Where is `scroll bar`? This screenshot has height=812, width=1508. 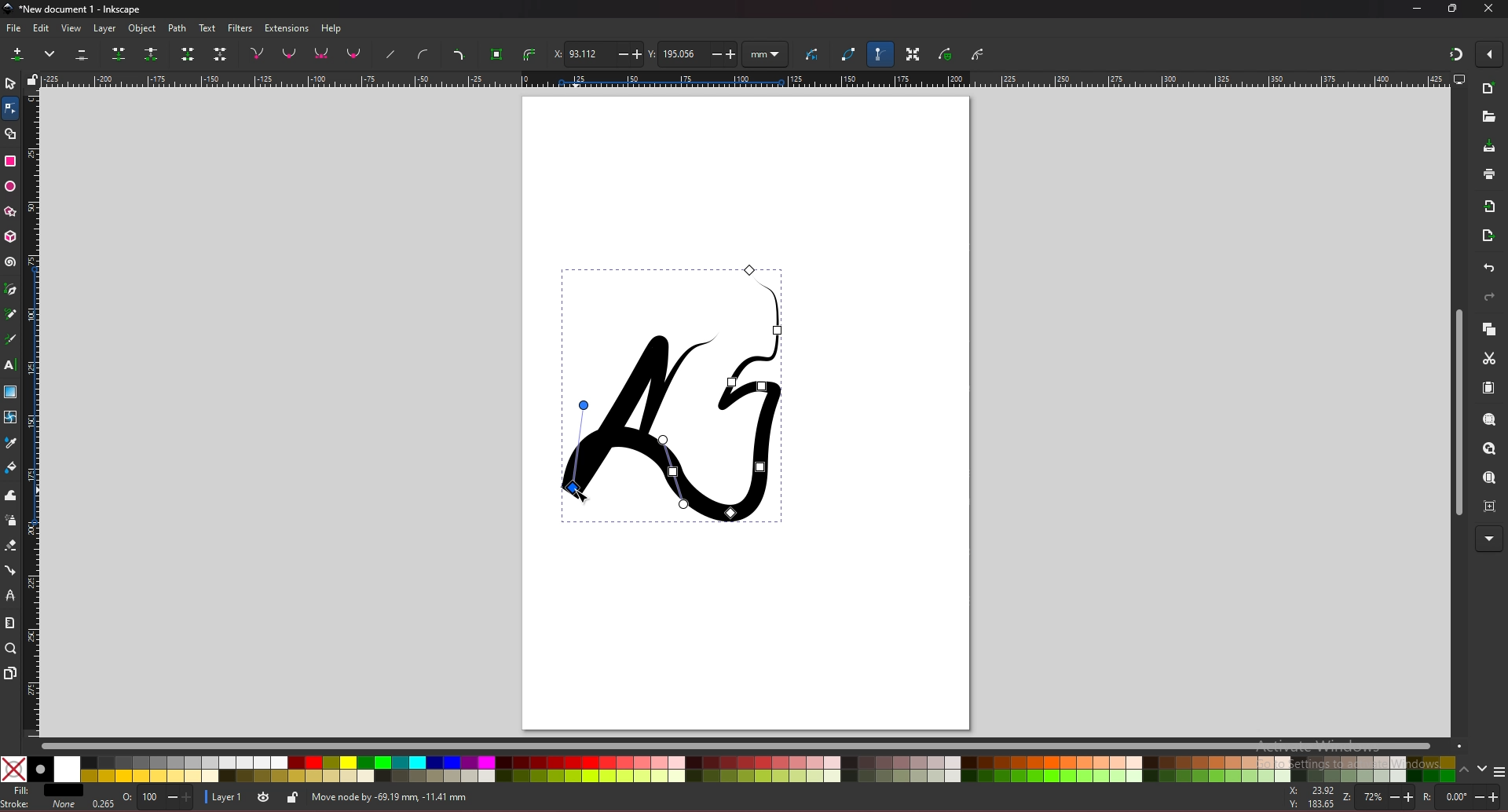
scroll bar is located at coordinates (1456, 411).